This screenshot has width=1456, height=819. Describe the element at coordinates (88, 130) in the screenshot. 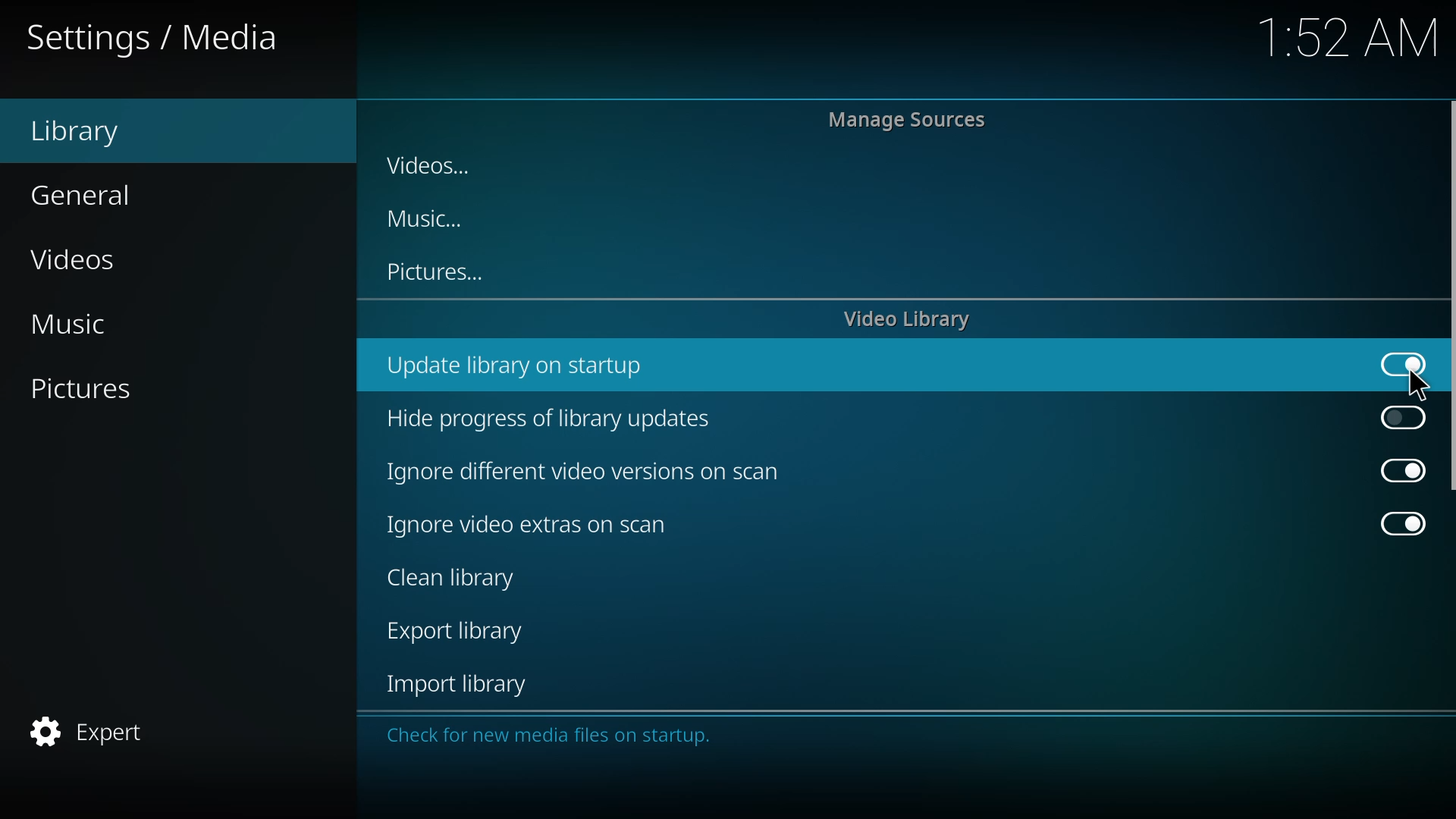

I see `library` at that location.